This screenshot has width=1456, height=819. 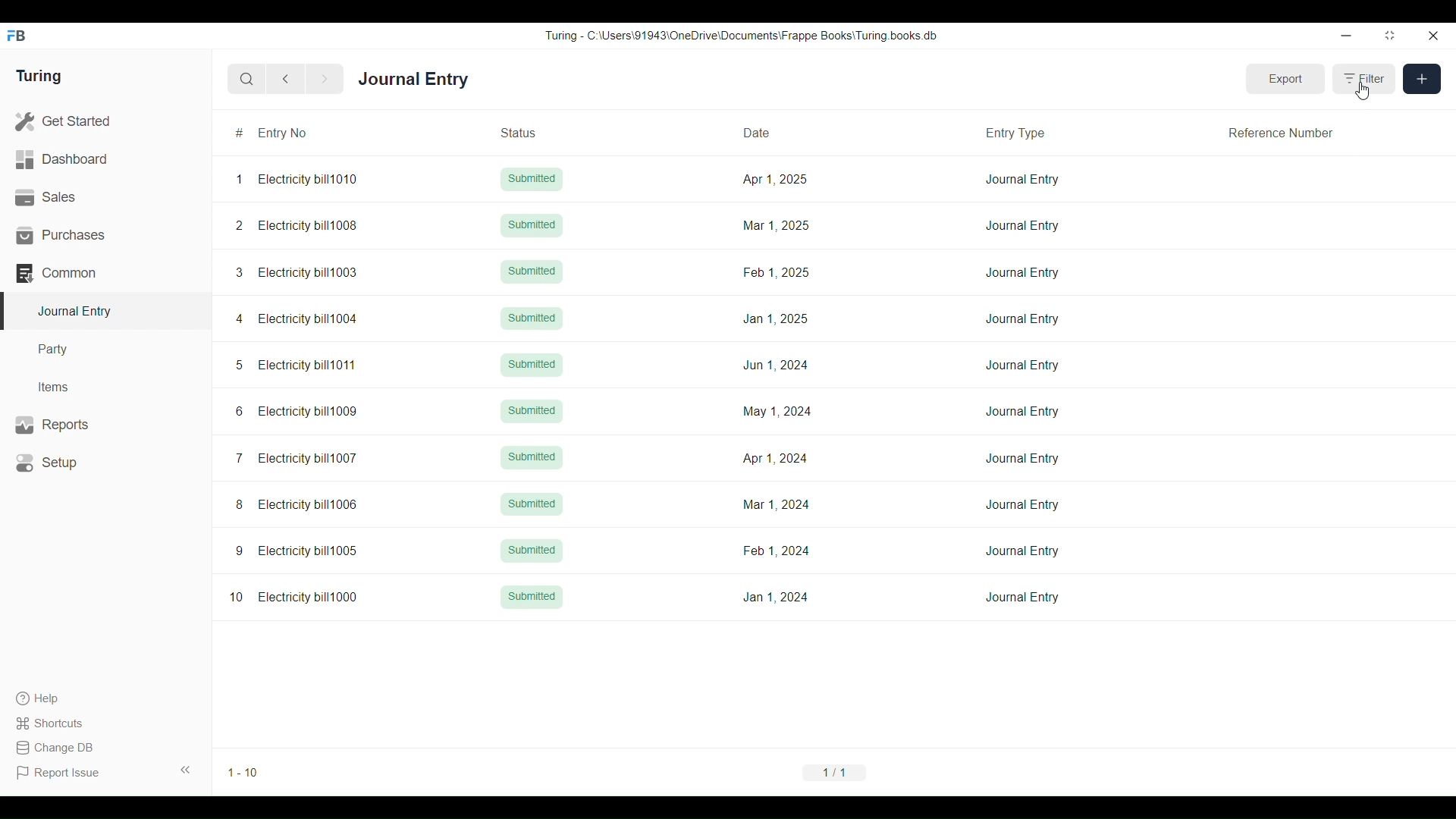 What do you see at coordinates (1422, 79) in the screenshot?
I see `New entry` at bounding box center [1422, 79].